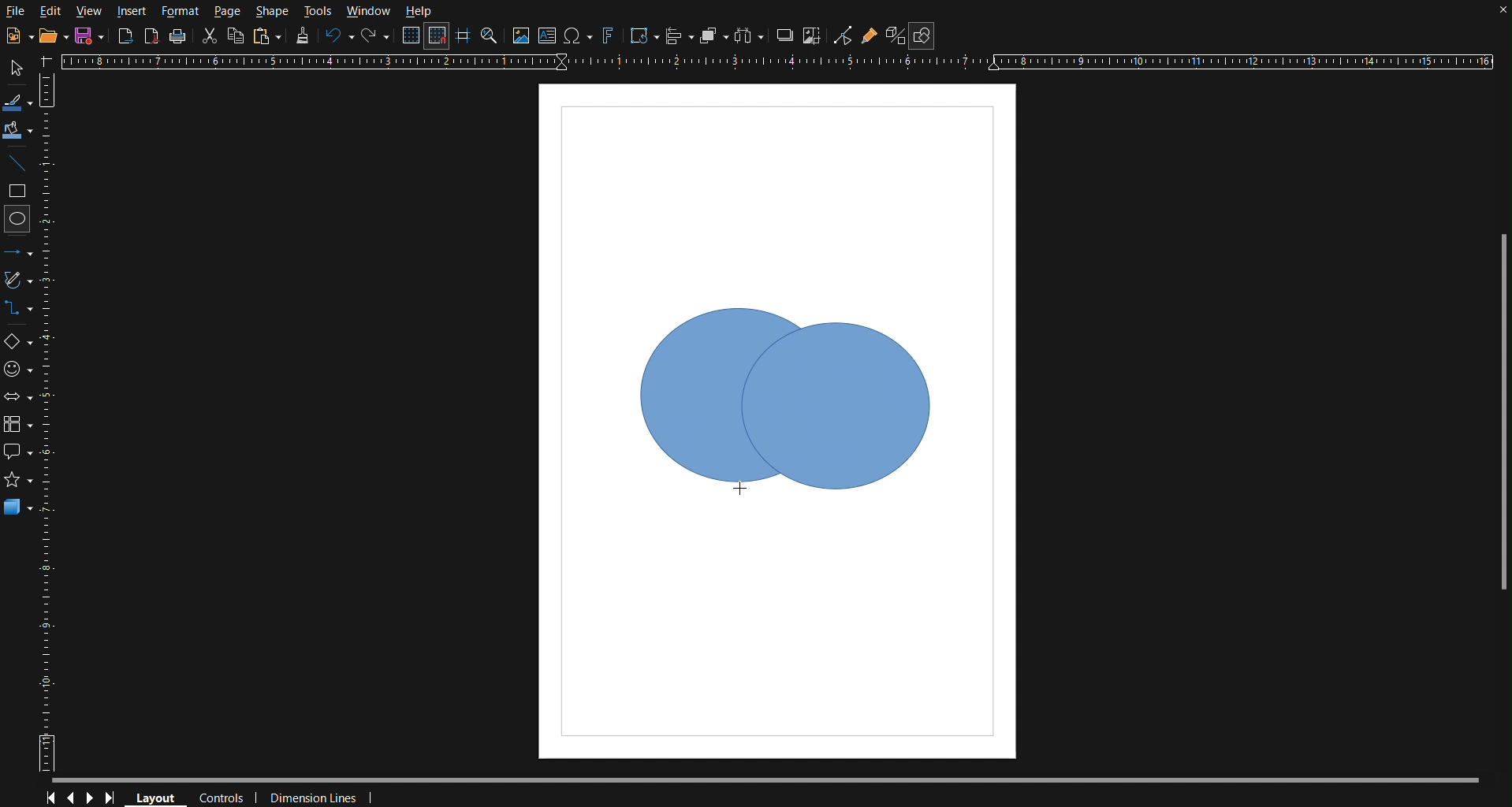 Image resolution: width=1512 pixels, height=807 pixels. I want to click on Align, so click(679, 35).